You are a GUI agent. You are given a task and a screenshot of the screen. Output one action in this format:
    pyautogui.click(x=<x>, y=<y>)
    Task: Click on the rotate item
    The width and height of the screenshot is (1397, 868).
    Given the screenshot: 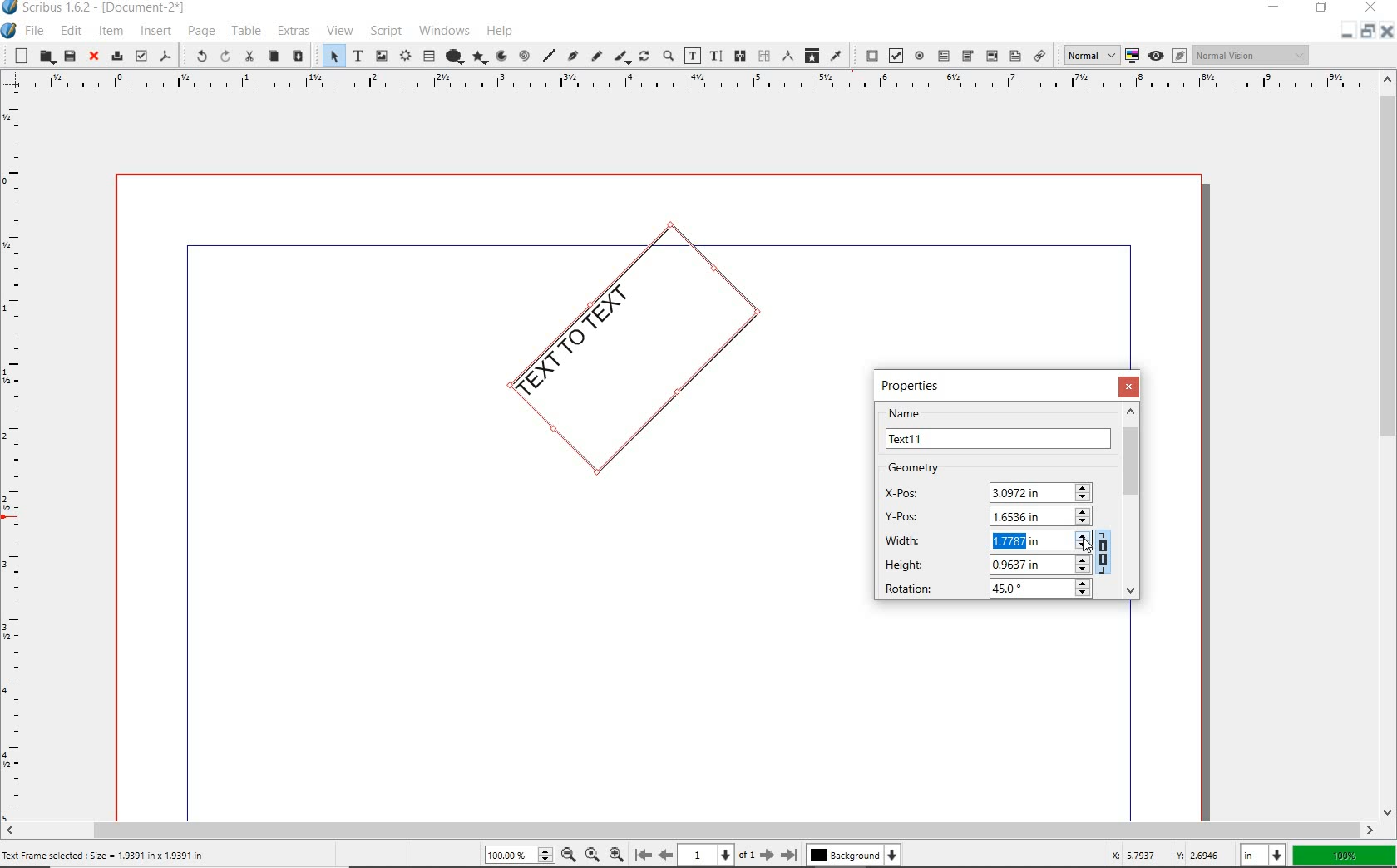 What is the action you would take?
    pyautogui.click(x=643, y=57)
    